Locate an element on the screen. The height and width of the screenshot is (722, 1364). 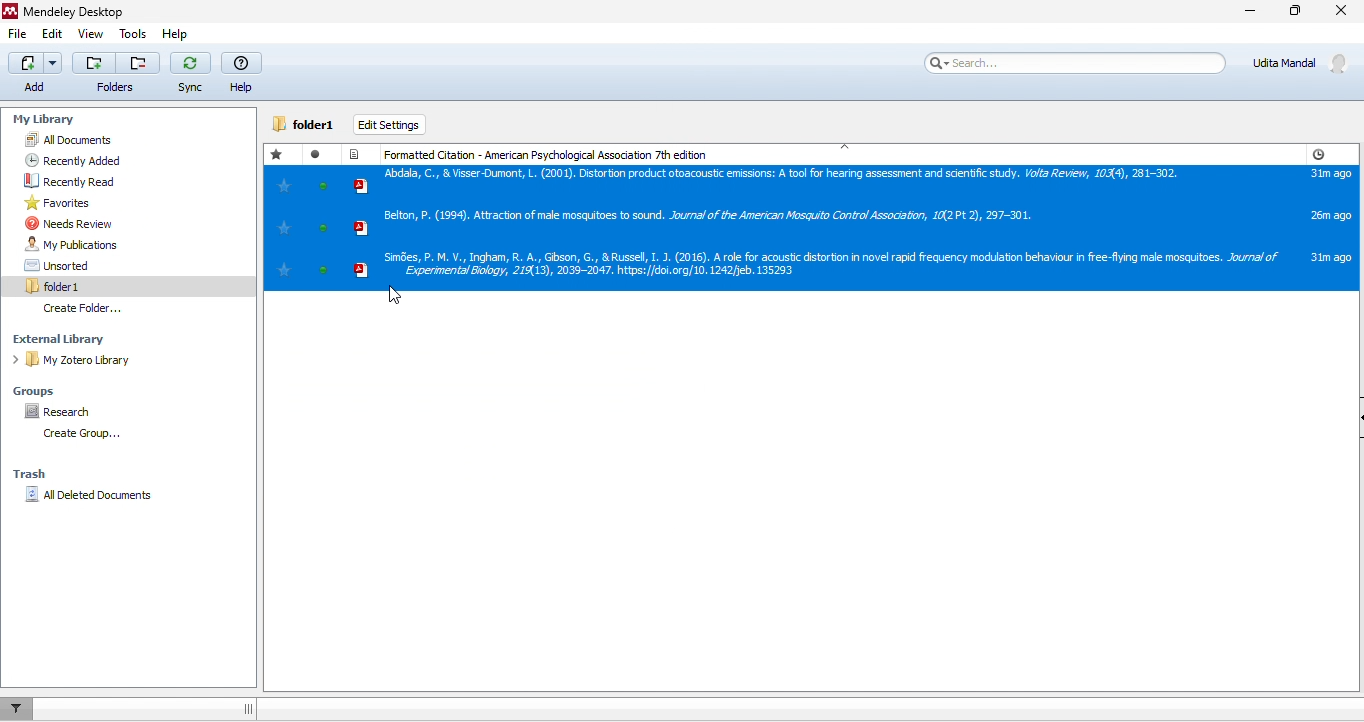
all files of folder 1 selected is located at coordinates (811, 229).